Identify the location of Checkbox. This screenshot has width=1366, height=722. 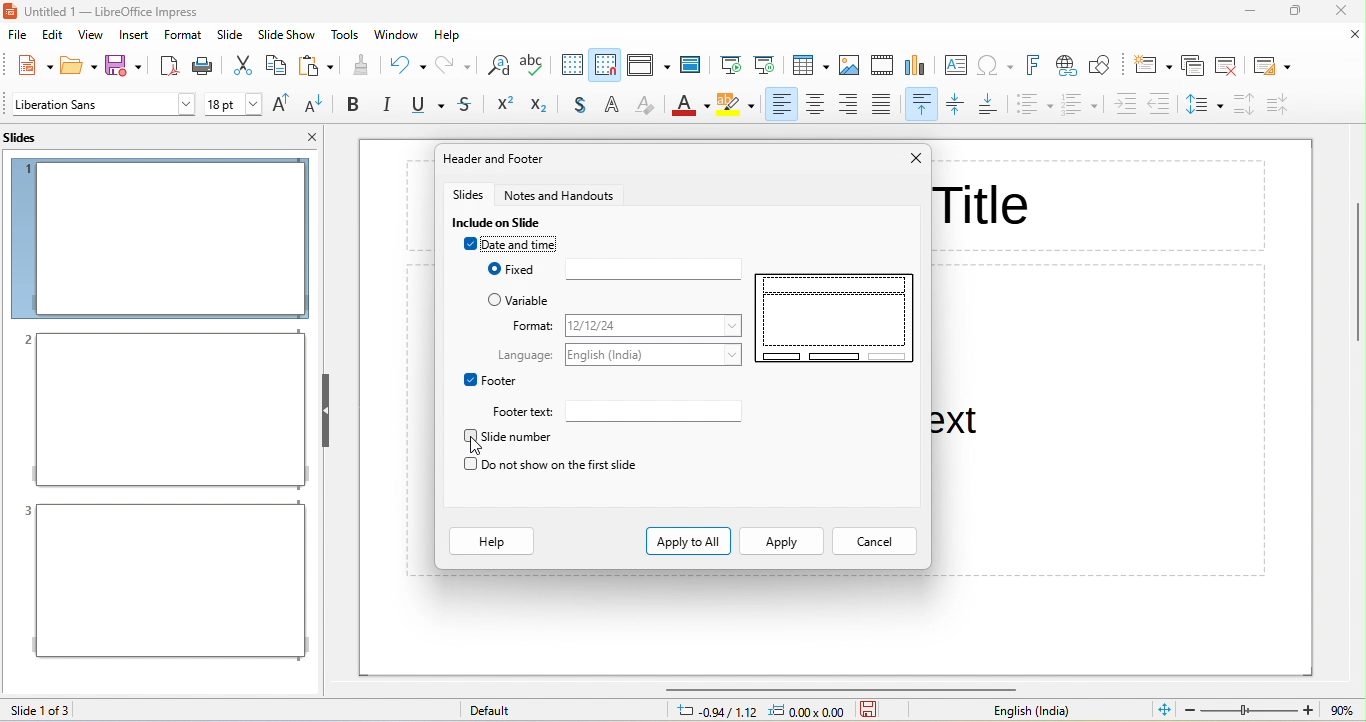
(469, 436).